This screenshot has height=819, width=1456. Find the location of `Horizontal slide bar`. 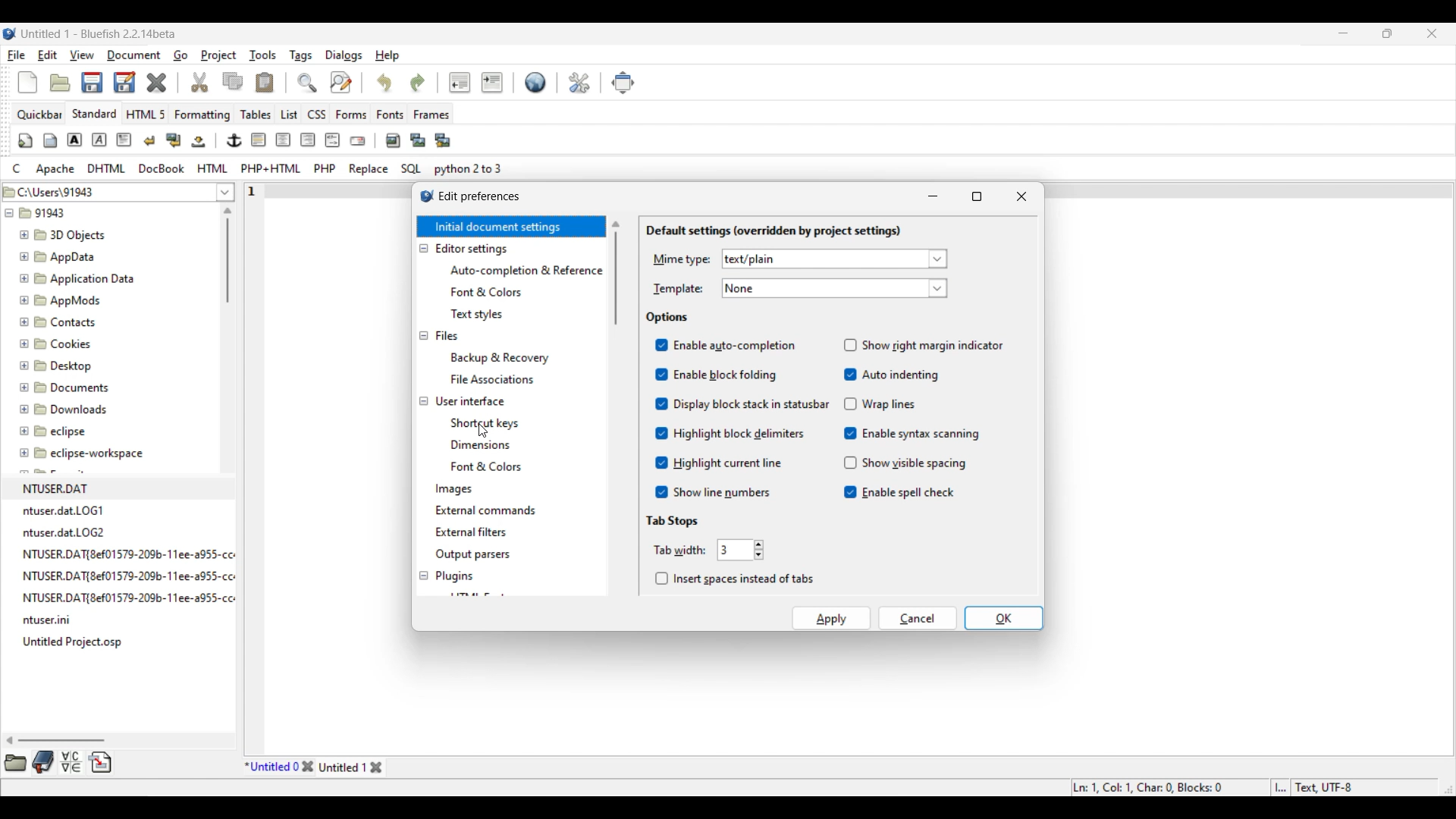

Horizontal slide bar is located at coordinates (56, 740).